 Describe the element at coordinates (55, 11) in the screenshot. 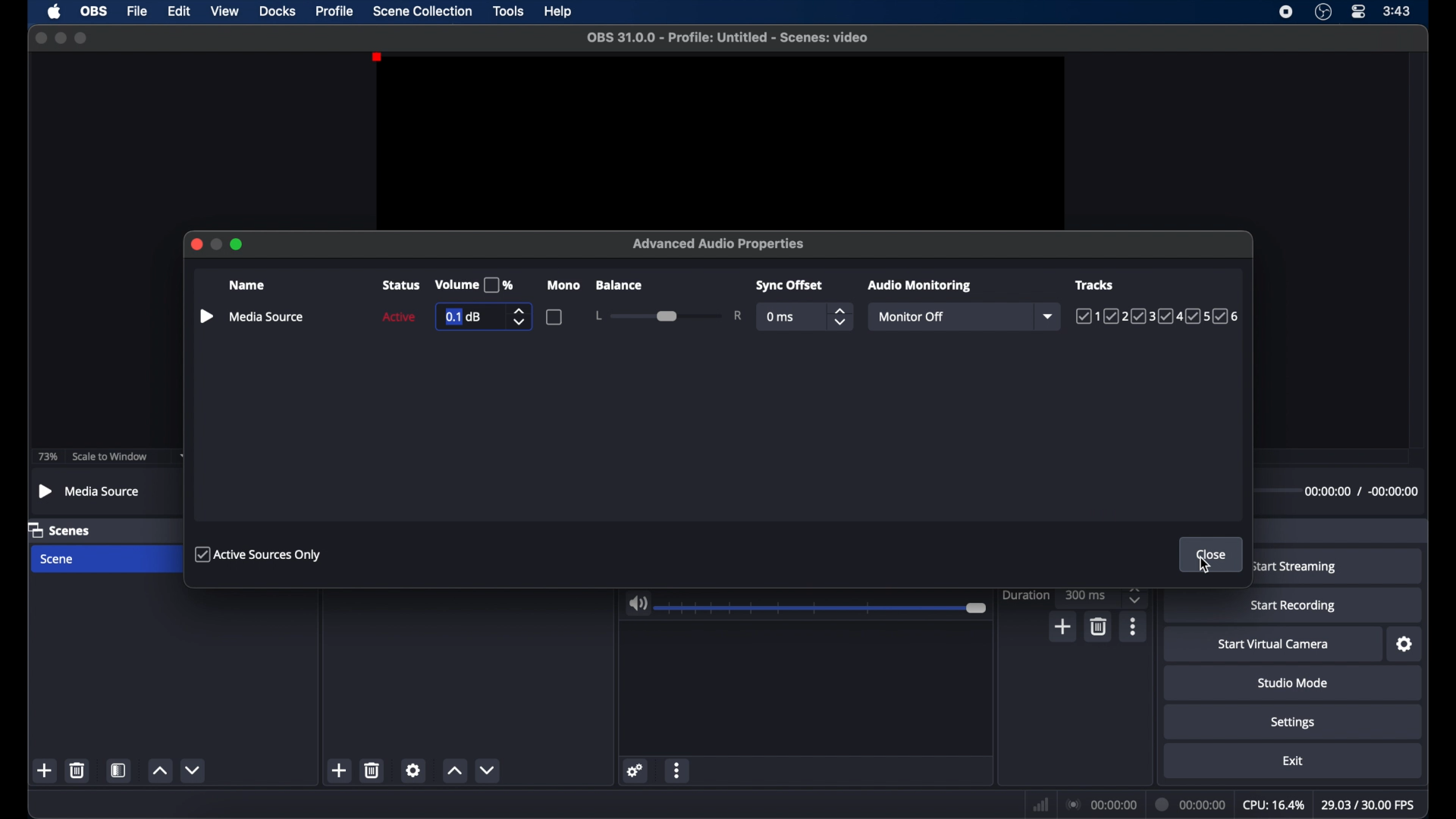

I see `apple icon` at that location.